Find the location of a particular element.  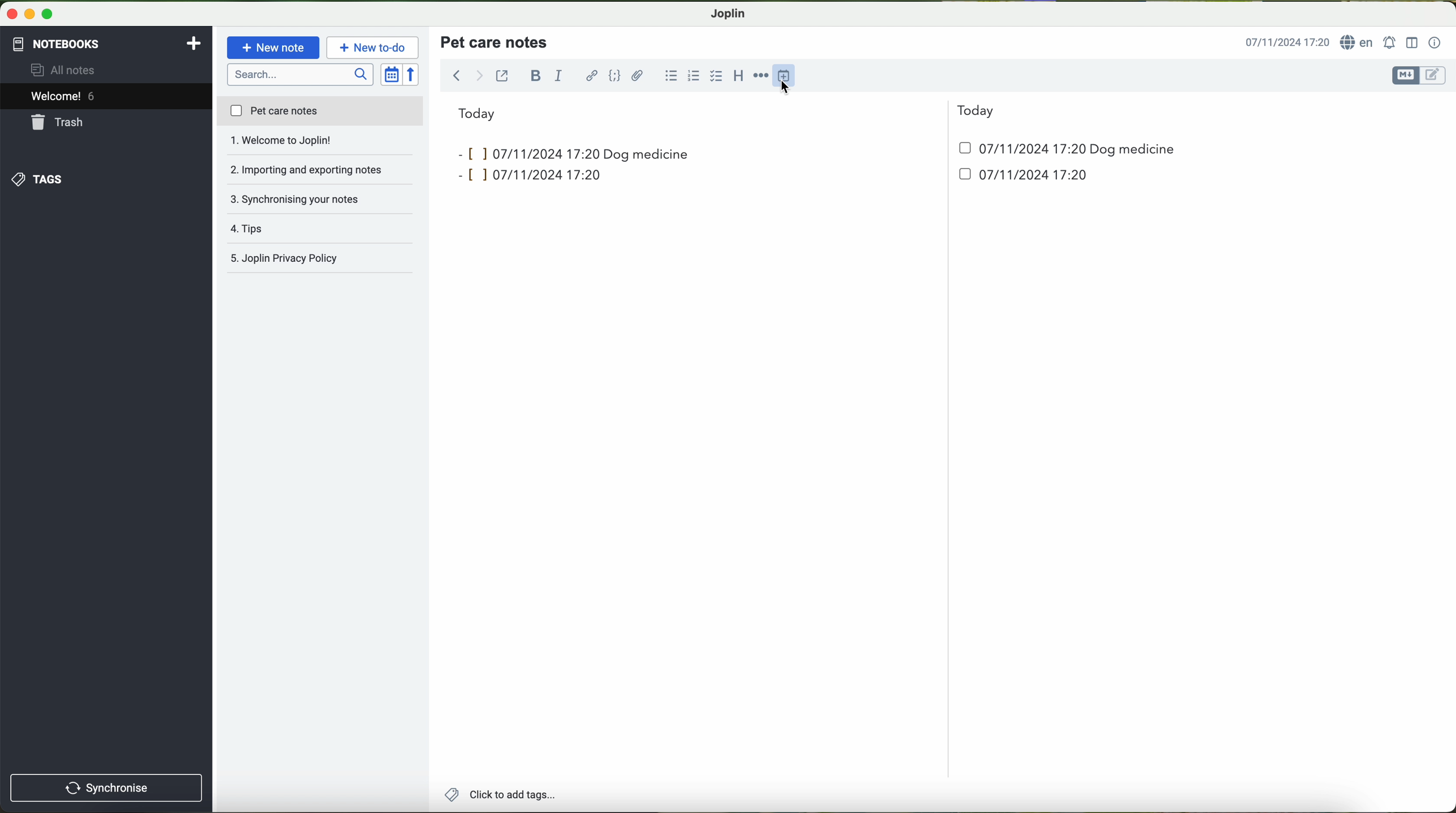

add tags is located at coordinates (500, 796).